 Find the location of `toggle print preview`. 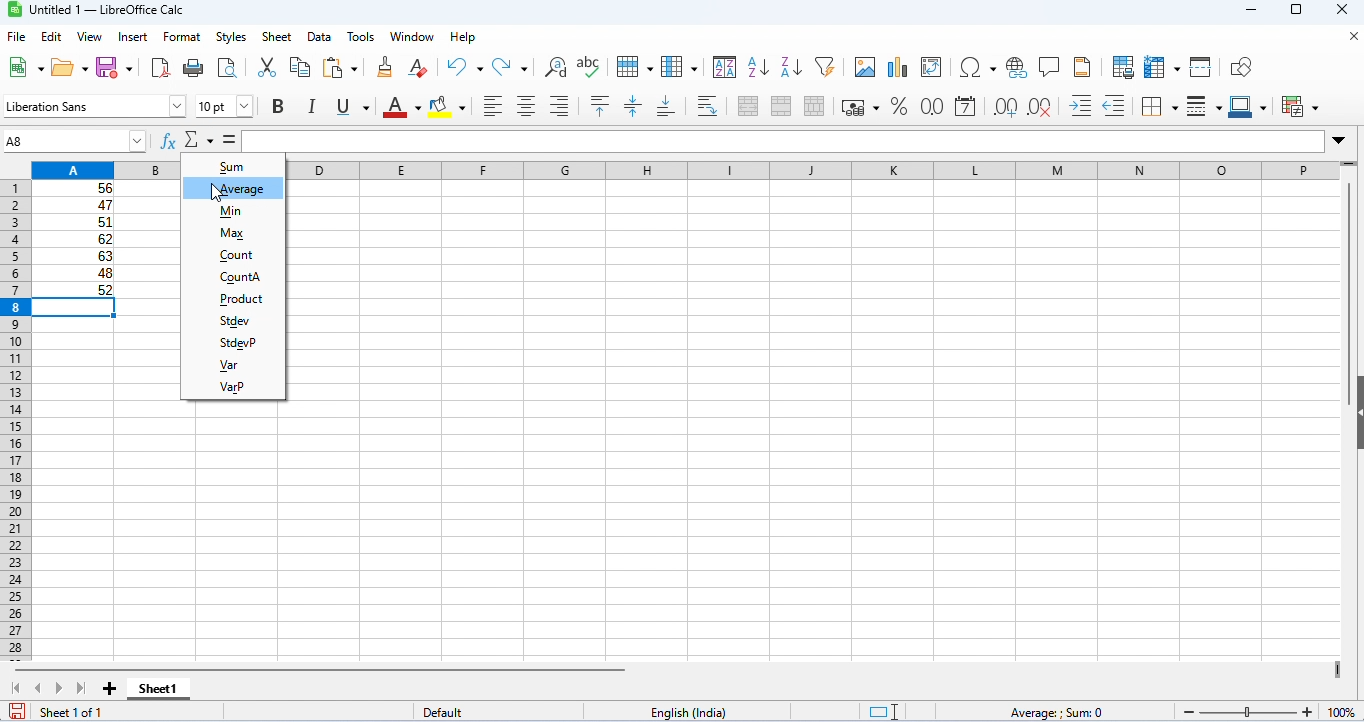

toggle print preview is located at coordinates (228, 67).